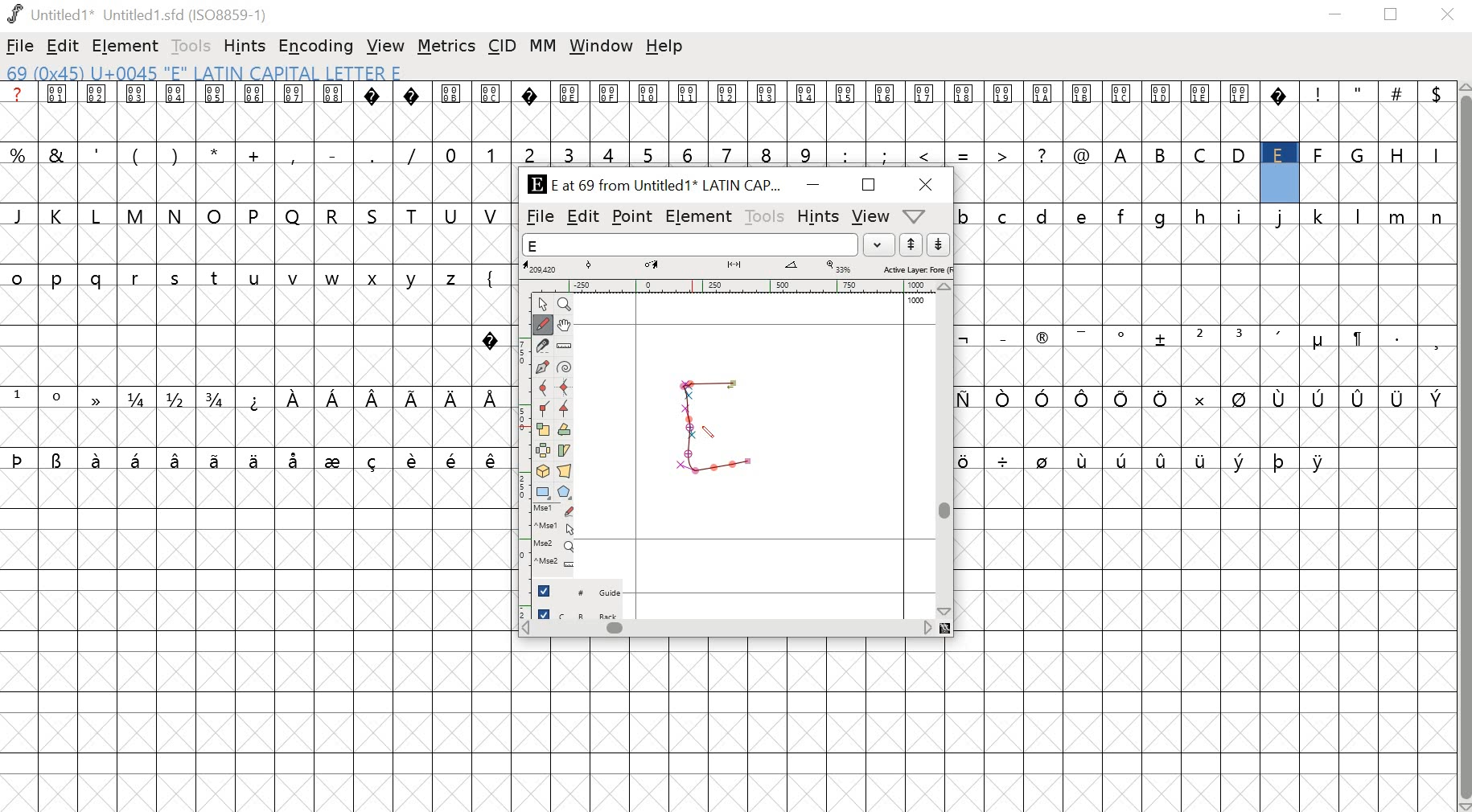  What do you see at coordinates (1278, 154) in the screenshot?
I see `uppercase alphabets` at bounding box center [1278, 154].